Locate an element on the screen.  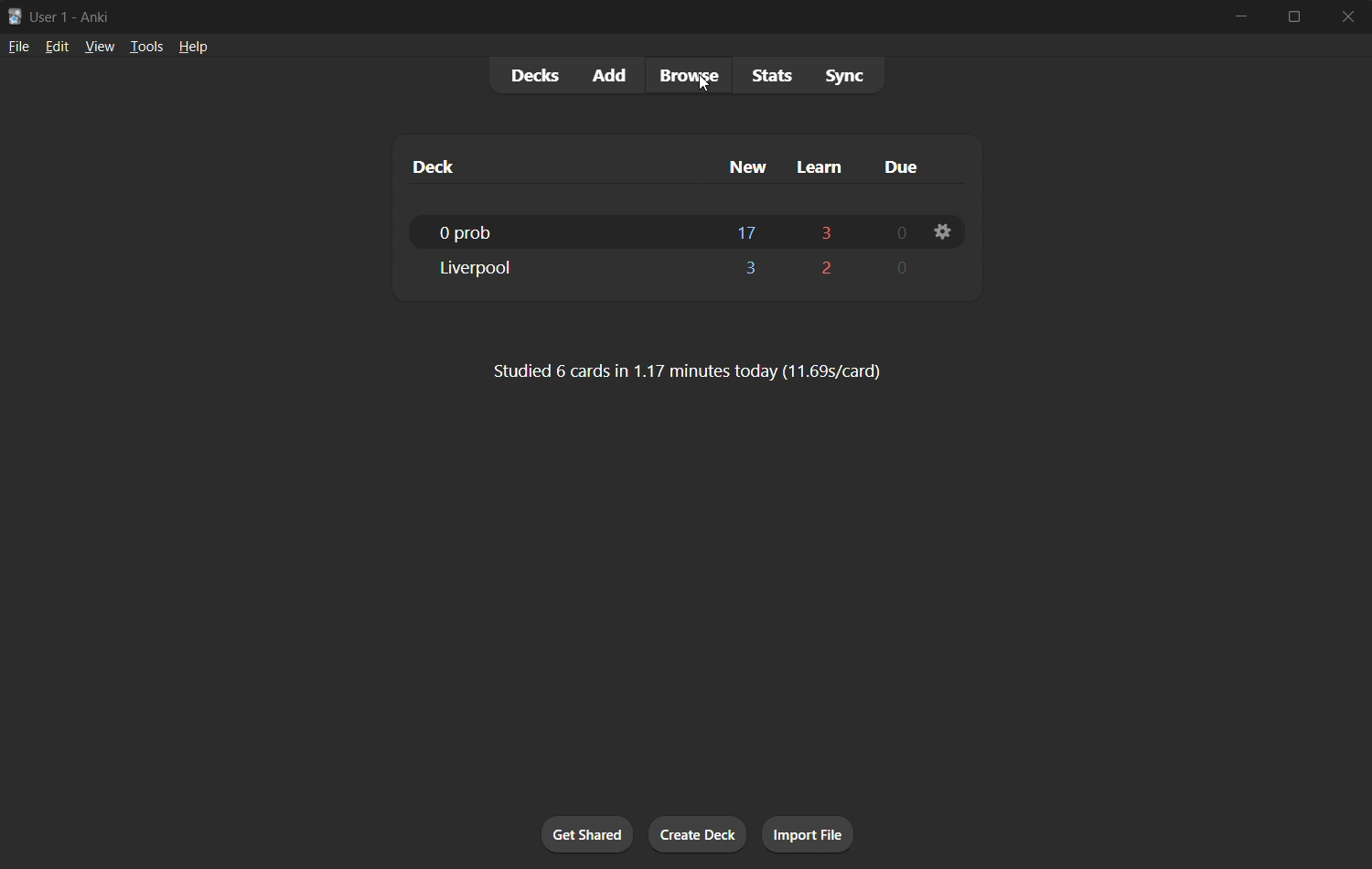
edit is located at coordinates (58, 46).